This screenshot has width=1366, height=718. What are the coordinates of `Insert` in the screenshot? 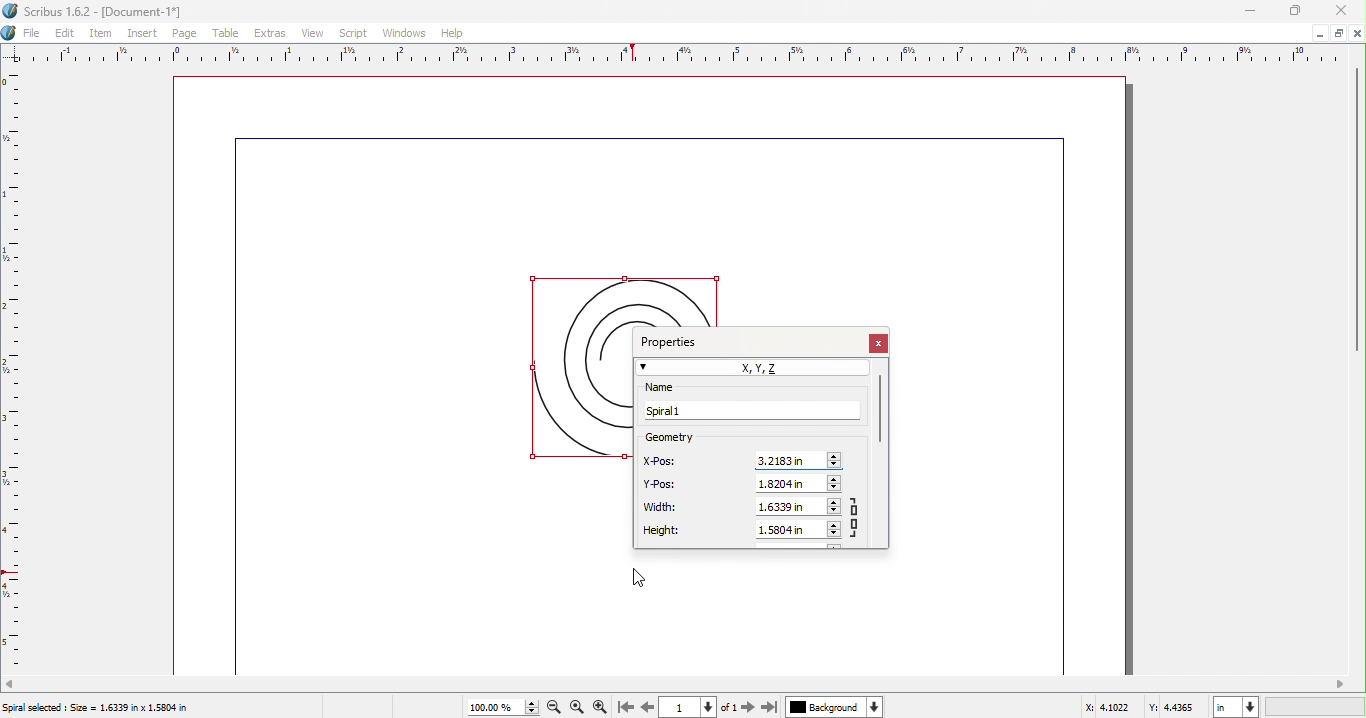 It's located at (146, 34).